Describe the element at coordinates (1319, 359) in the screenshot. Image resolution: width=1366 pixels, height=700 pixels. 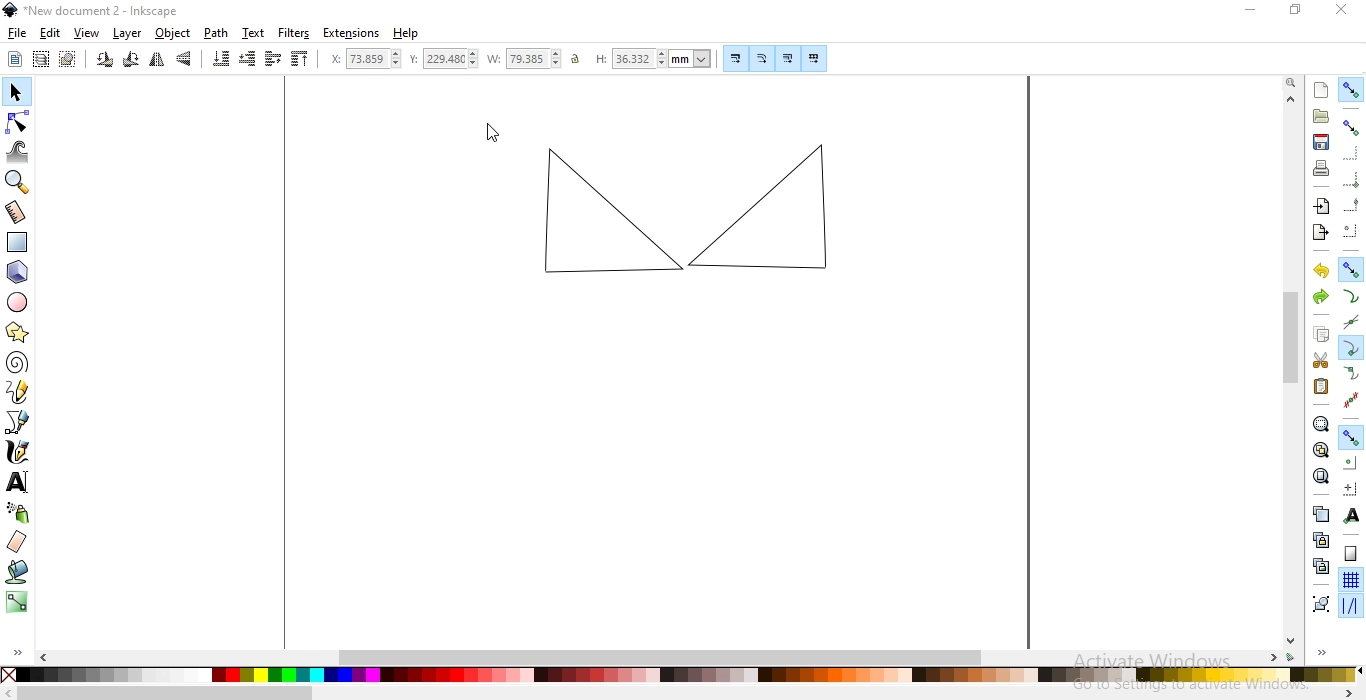
I see `cut selection to clipboard` at that location.